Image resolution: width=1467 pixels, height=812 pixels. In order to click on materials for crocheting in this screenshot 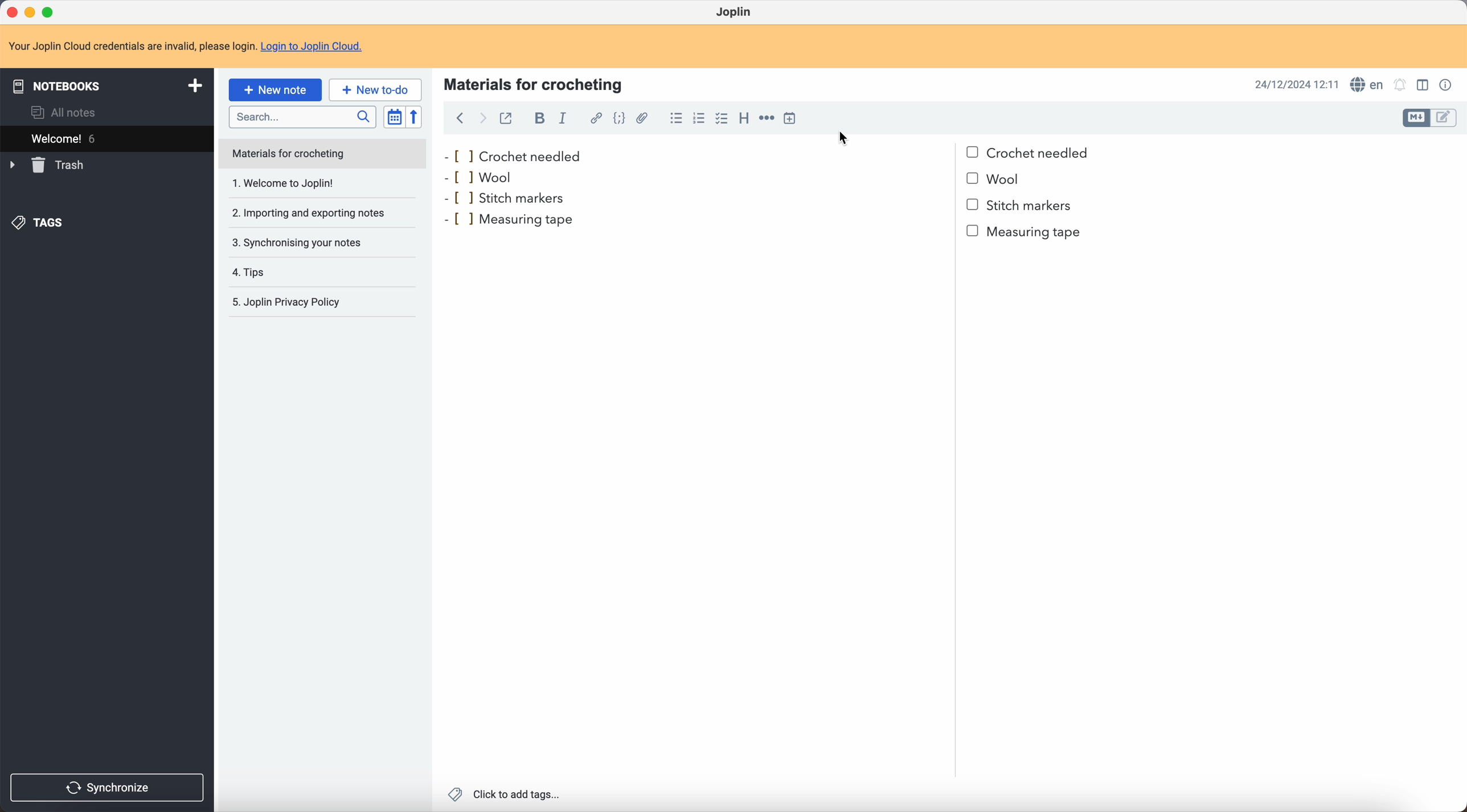, I will do `click(535, 83)`.